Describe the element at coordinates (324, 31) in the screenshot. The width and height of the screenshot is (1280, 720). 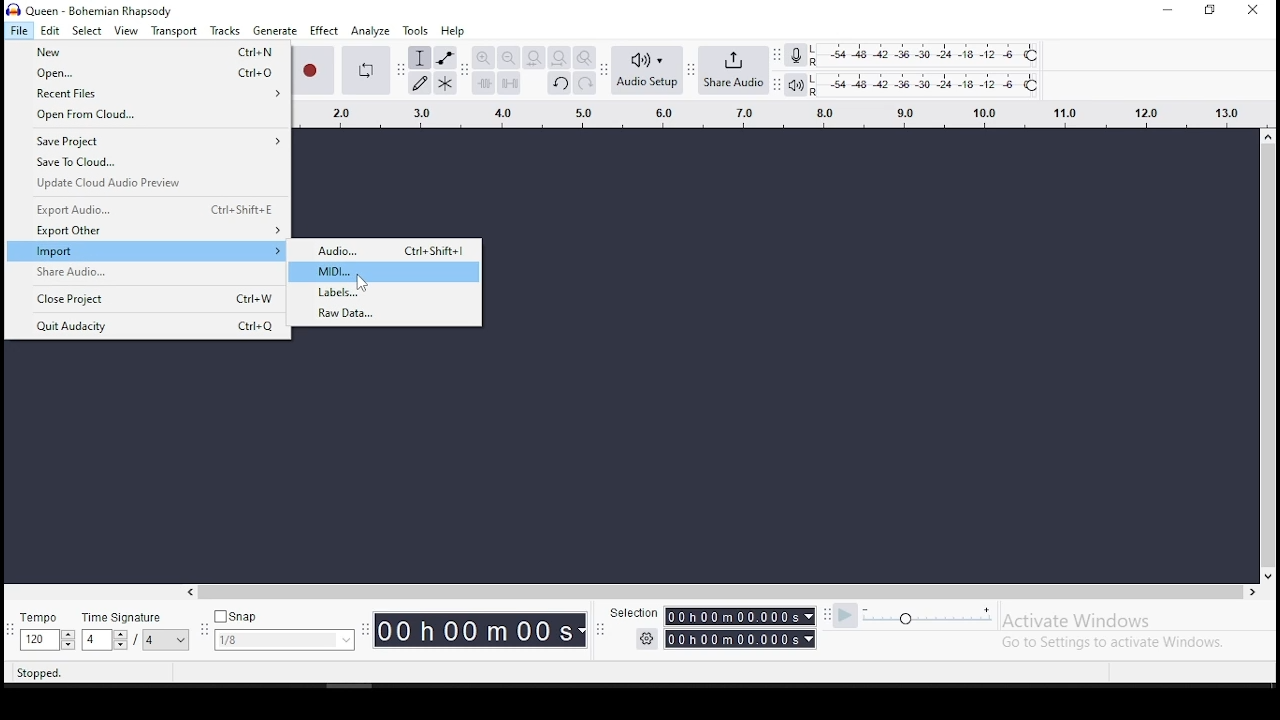
I see `effect` at that location.